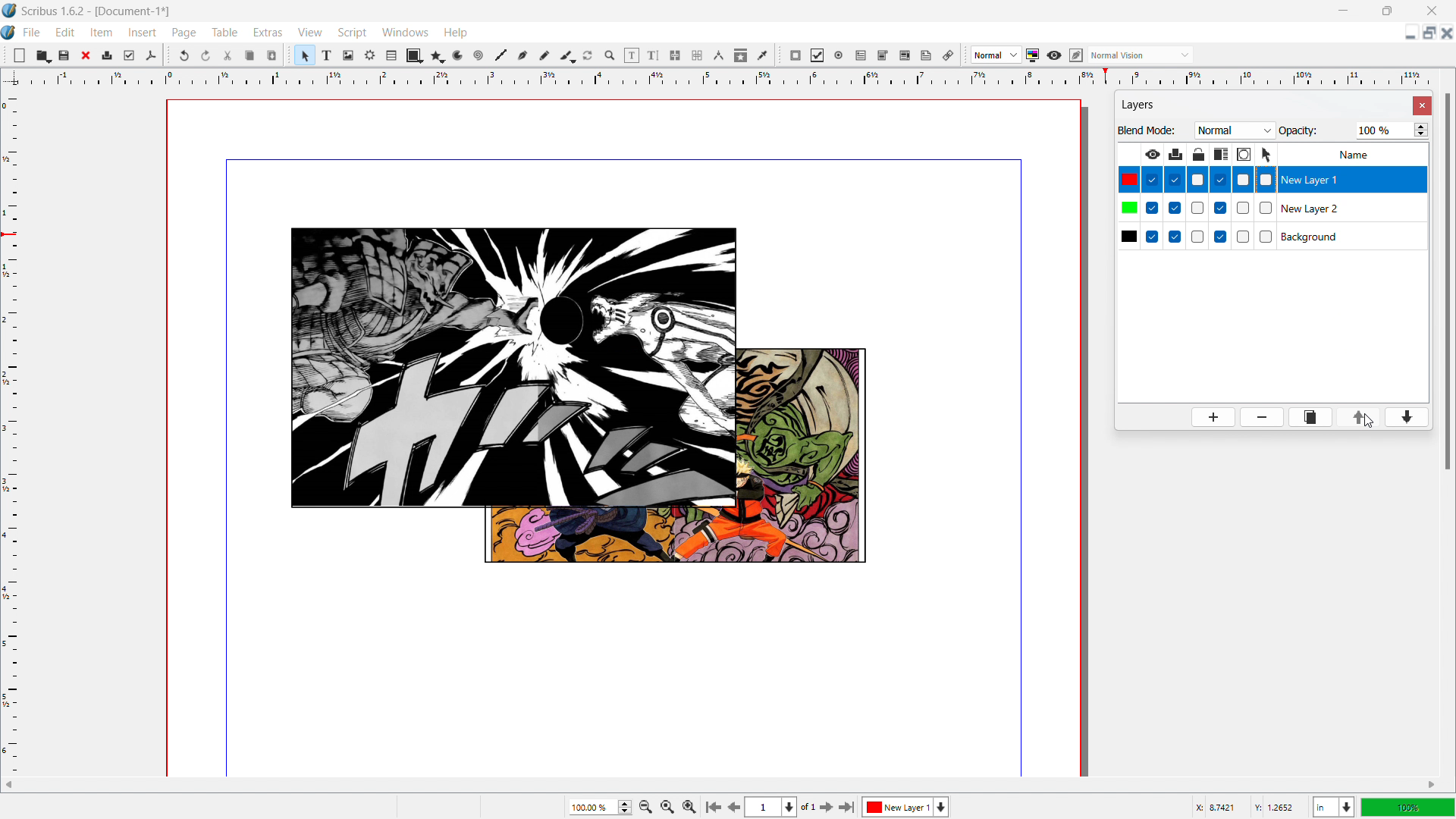  Describe the element at coordinates (43, 55) in the screenshot. I see `open` at that location.